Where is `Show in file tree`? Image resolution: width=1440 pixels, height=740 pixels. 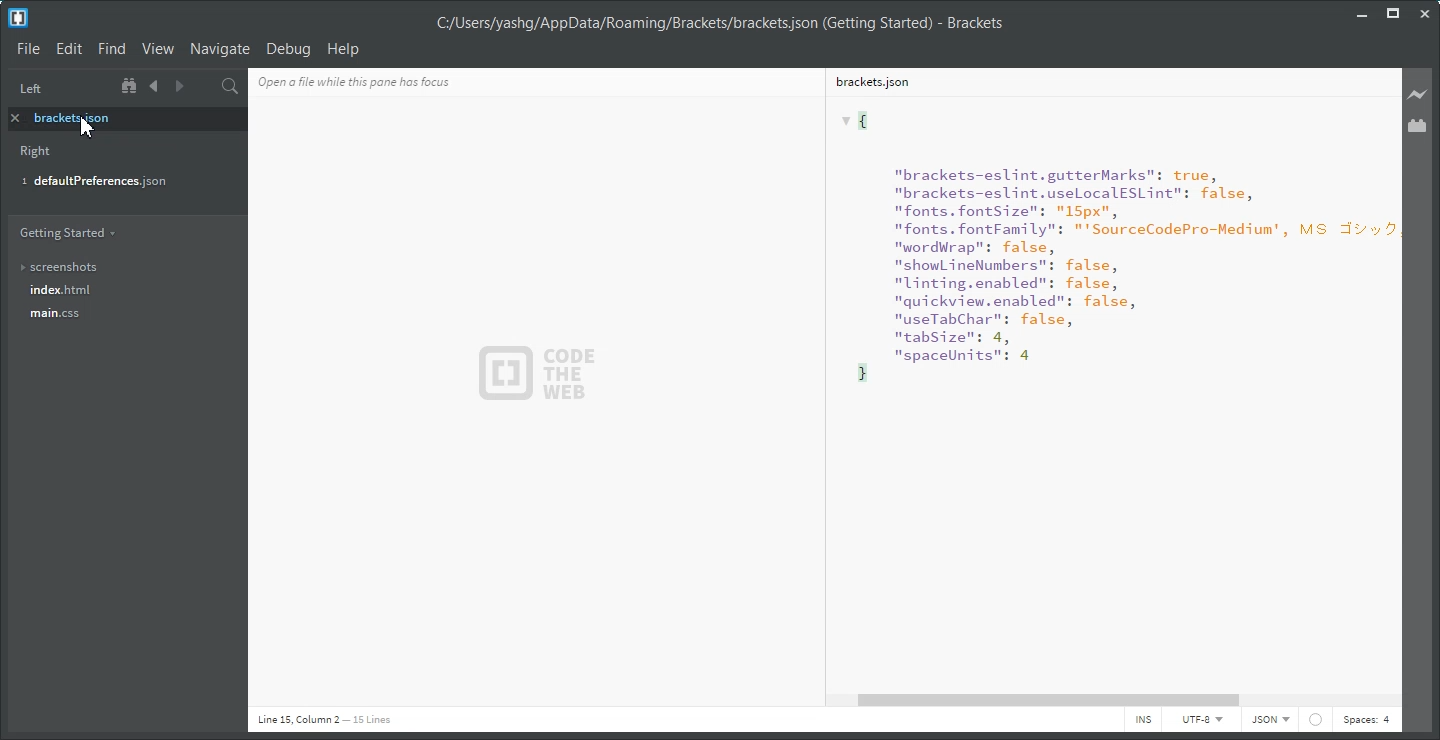 Show in file tree is located at coordinates (131, 86).